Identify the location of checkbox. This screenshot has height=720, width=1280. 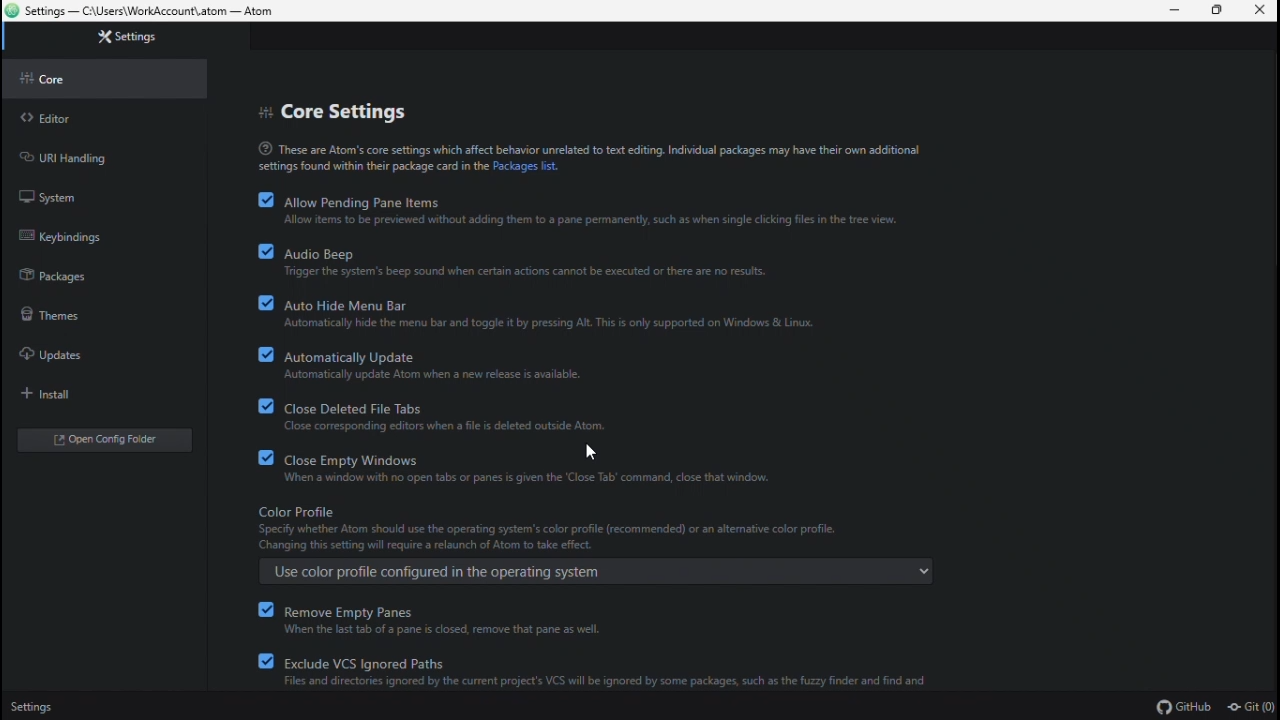
(262, 660).